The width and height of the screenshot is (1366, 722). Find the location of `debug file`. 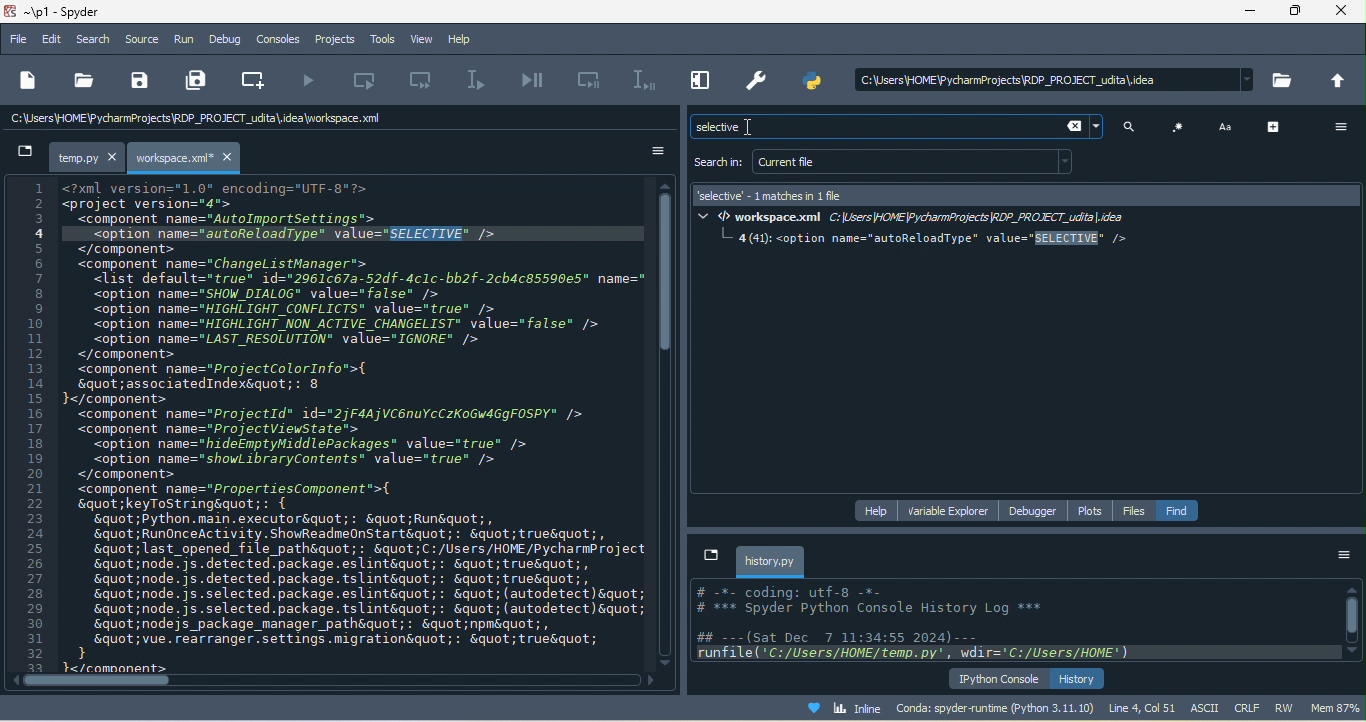

debug file is located at coordinates (534, 81).